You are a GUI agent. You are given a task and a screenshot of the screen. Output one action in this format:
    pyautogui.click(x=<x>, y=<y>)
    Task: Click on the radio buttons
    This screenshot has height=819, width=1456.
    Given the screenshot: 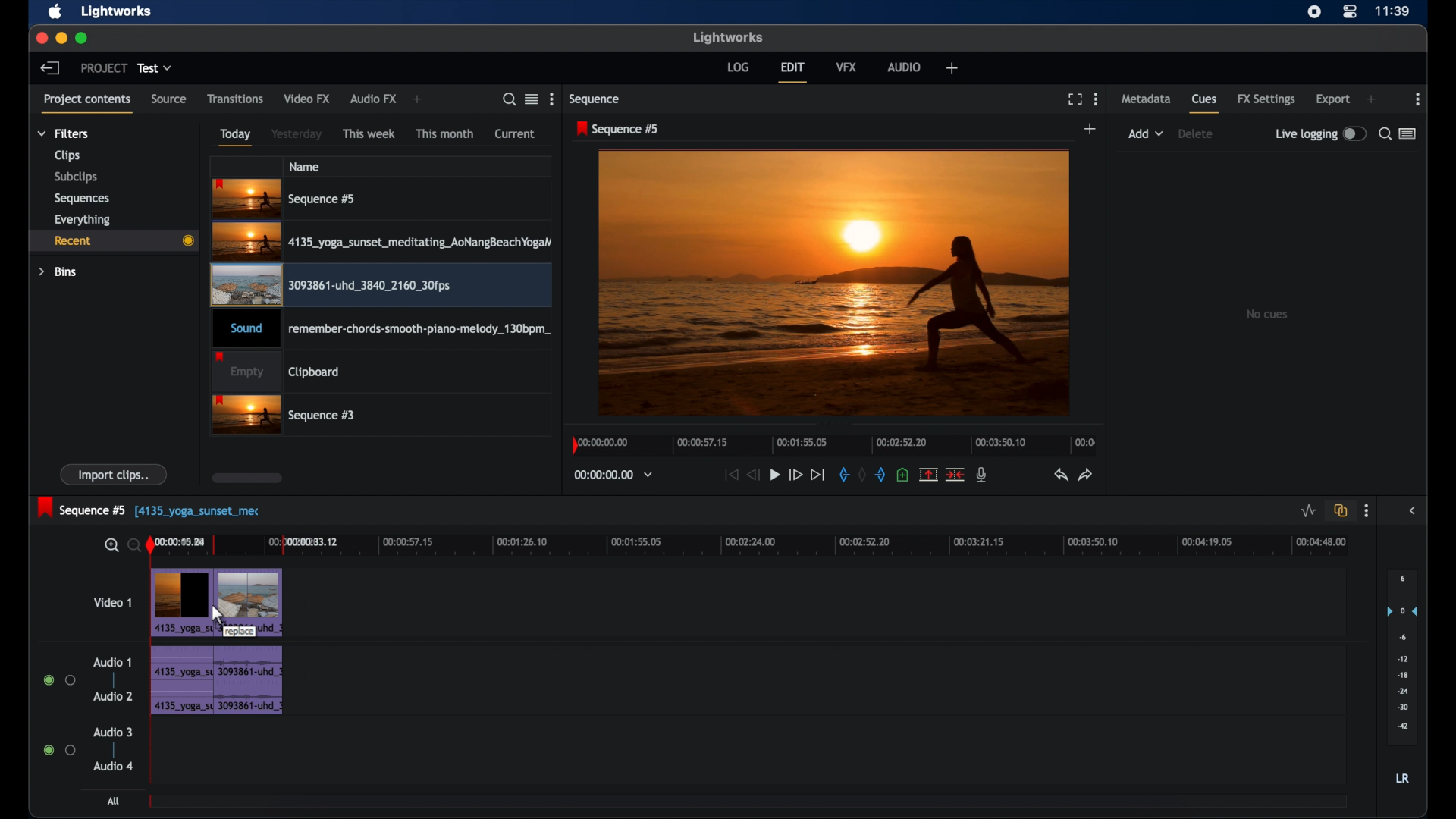 What is the action you would take?
    pyautogui.click(x=59, y=680)
    